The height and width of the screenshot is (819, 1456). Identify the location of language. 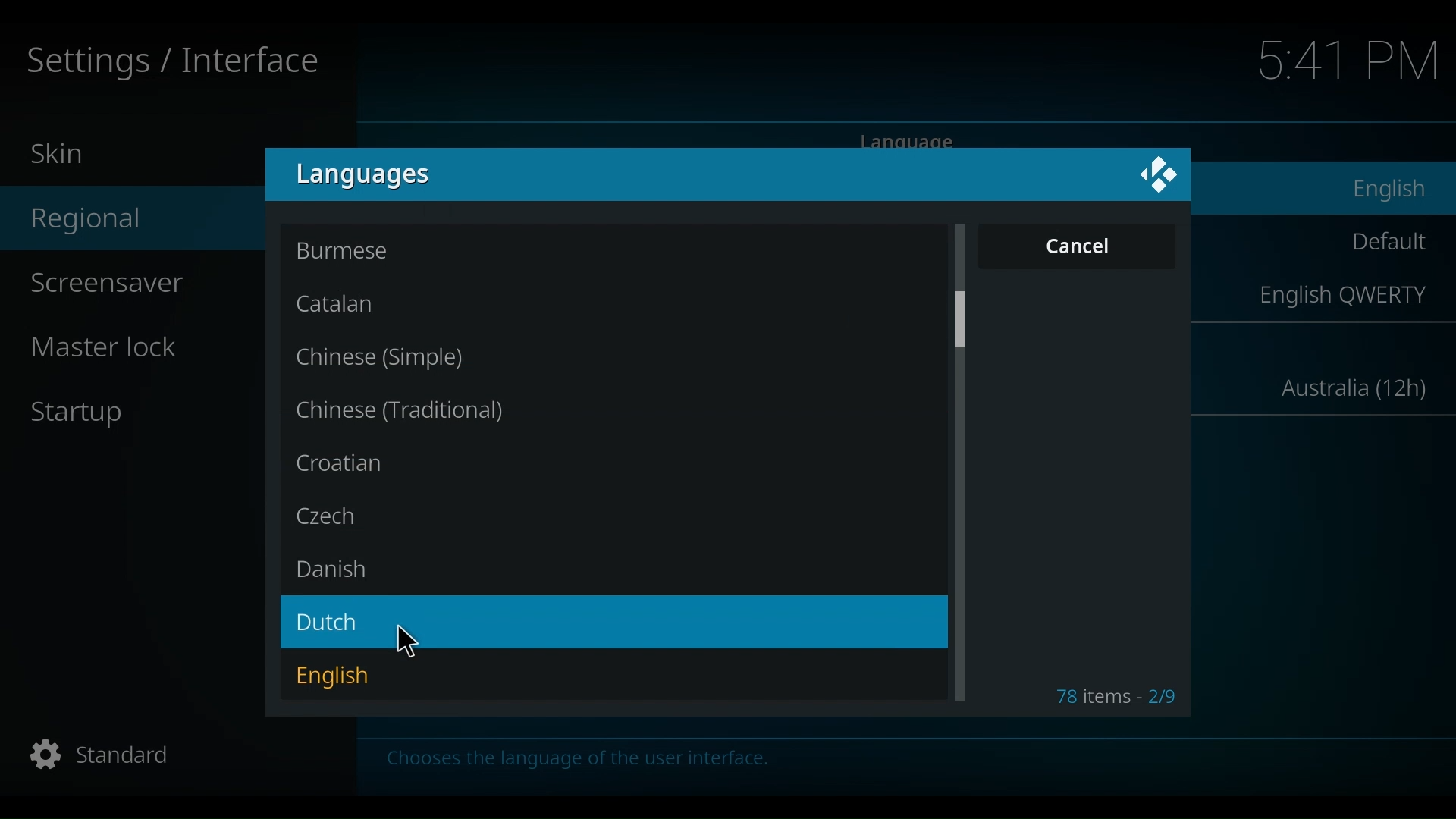
(363, 177).